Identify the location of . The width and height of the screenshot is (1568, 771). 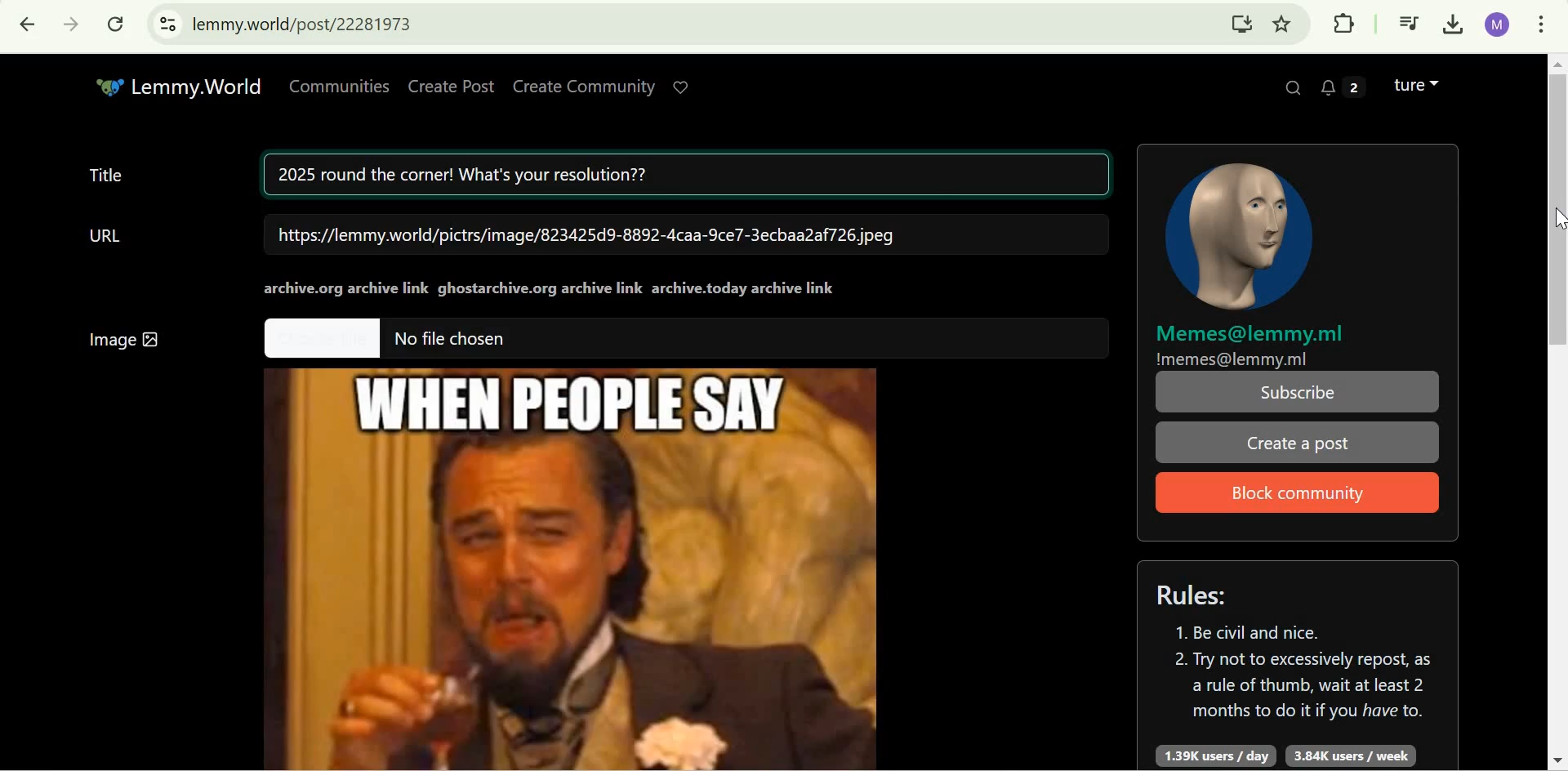
(321, 339).